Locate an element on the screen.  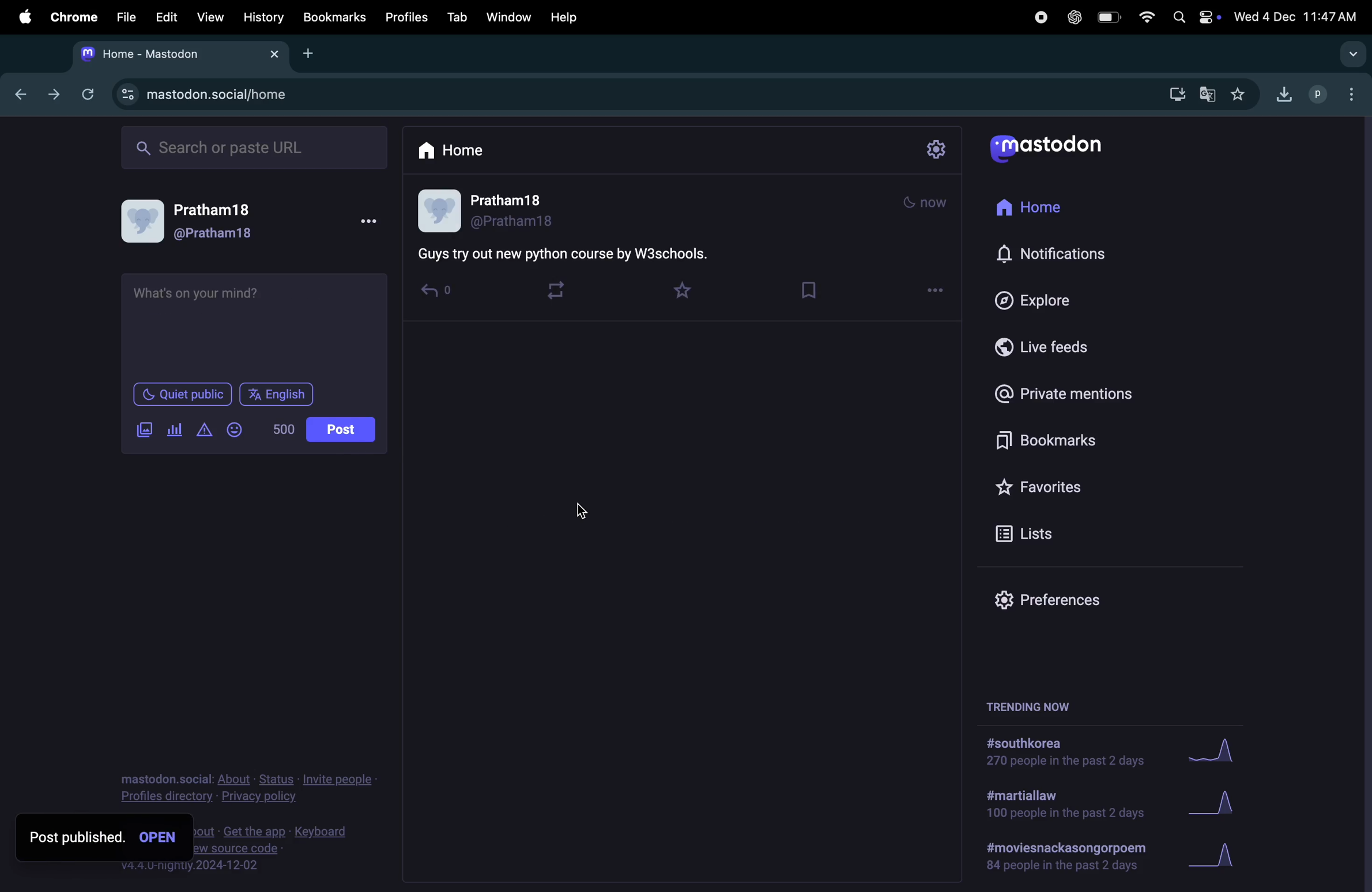
downloads is located at coordinates (1285, 94).